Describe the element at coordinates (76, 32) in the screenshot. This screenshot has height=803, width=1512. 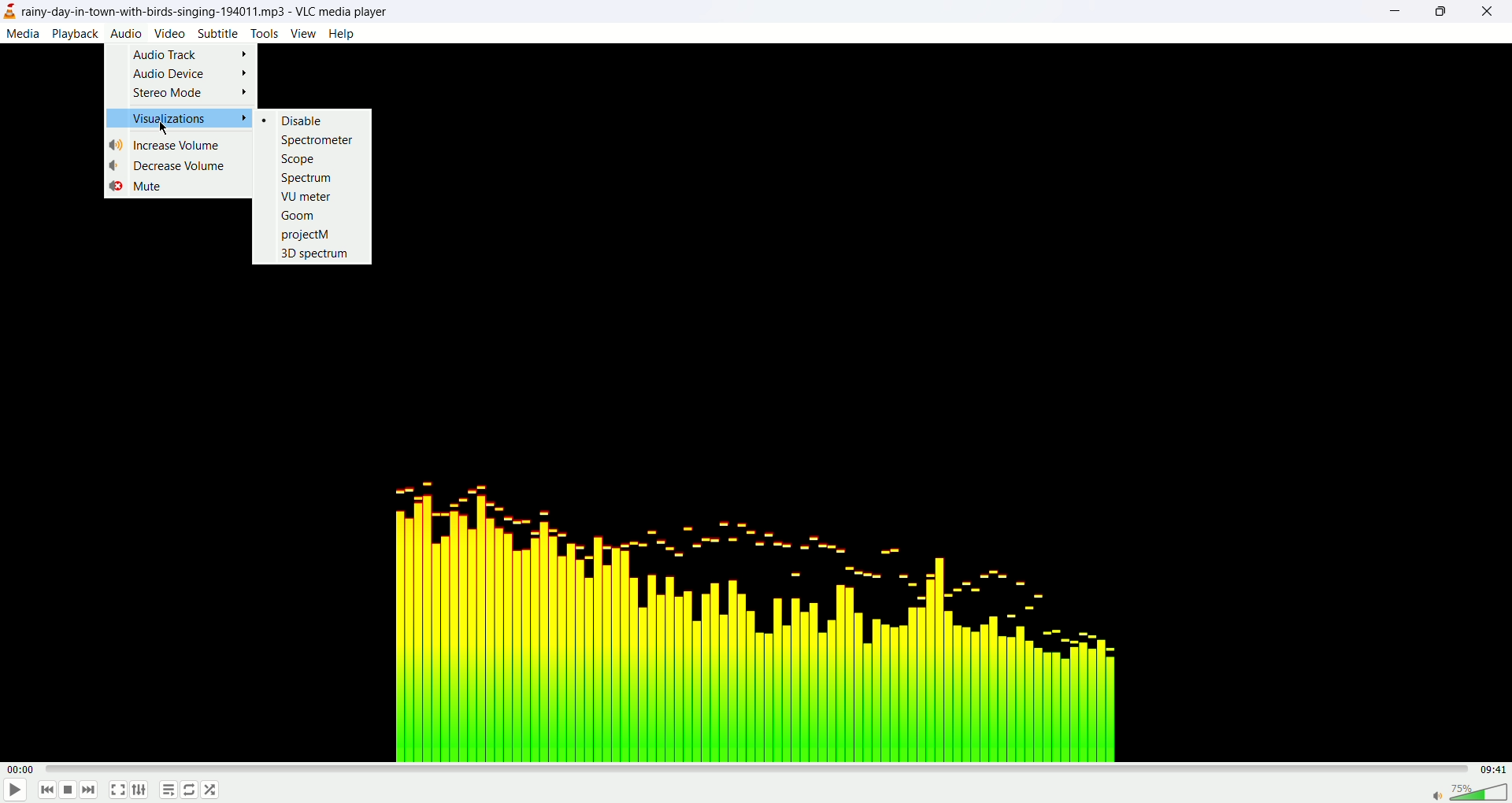
I see `playback` at that location.